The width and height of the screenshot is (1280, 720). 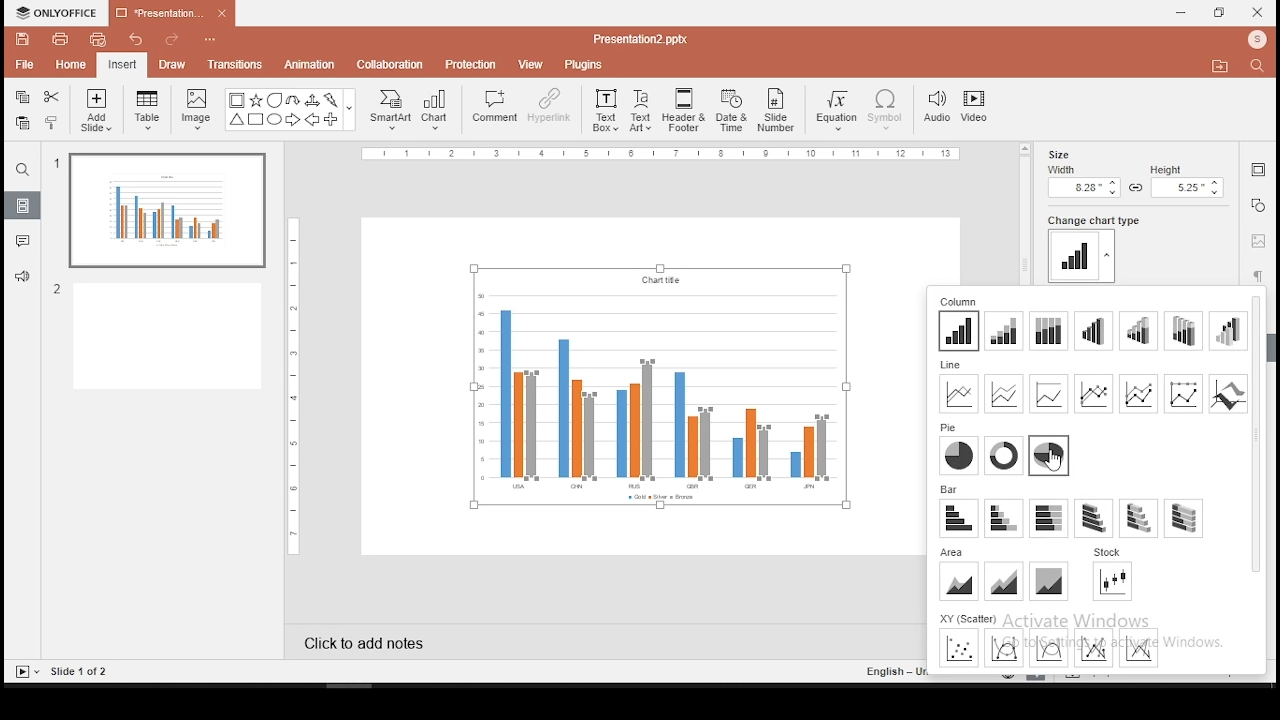 What do you see at coordinates (364, 640) in the screenshot?
I see `click to add notes` at bounding box center [364, 640].